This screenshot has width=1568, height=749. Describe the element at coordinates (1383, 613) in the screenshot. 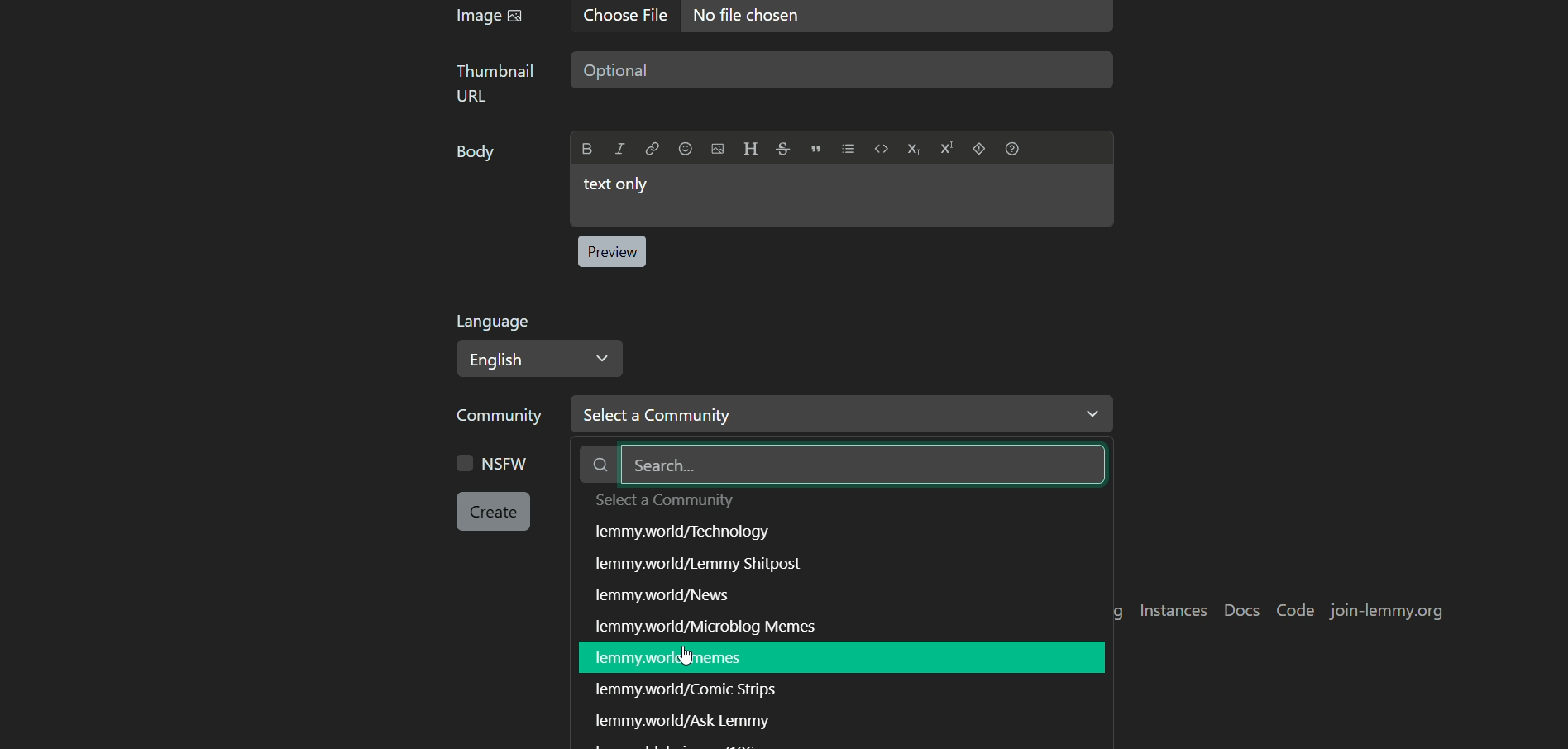

I see `join-lemmy.org` at that location.